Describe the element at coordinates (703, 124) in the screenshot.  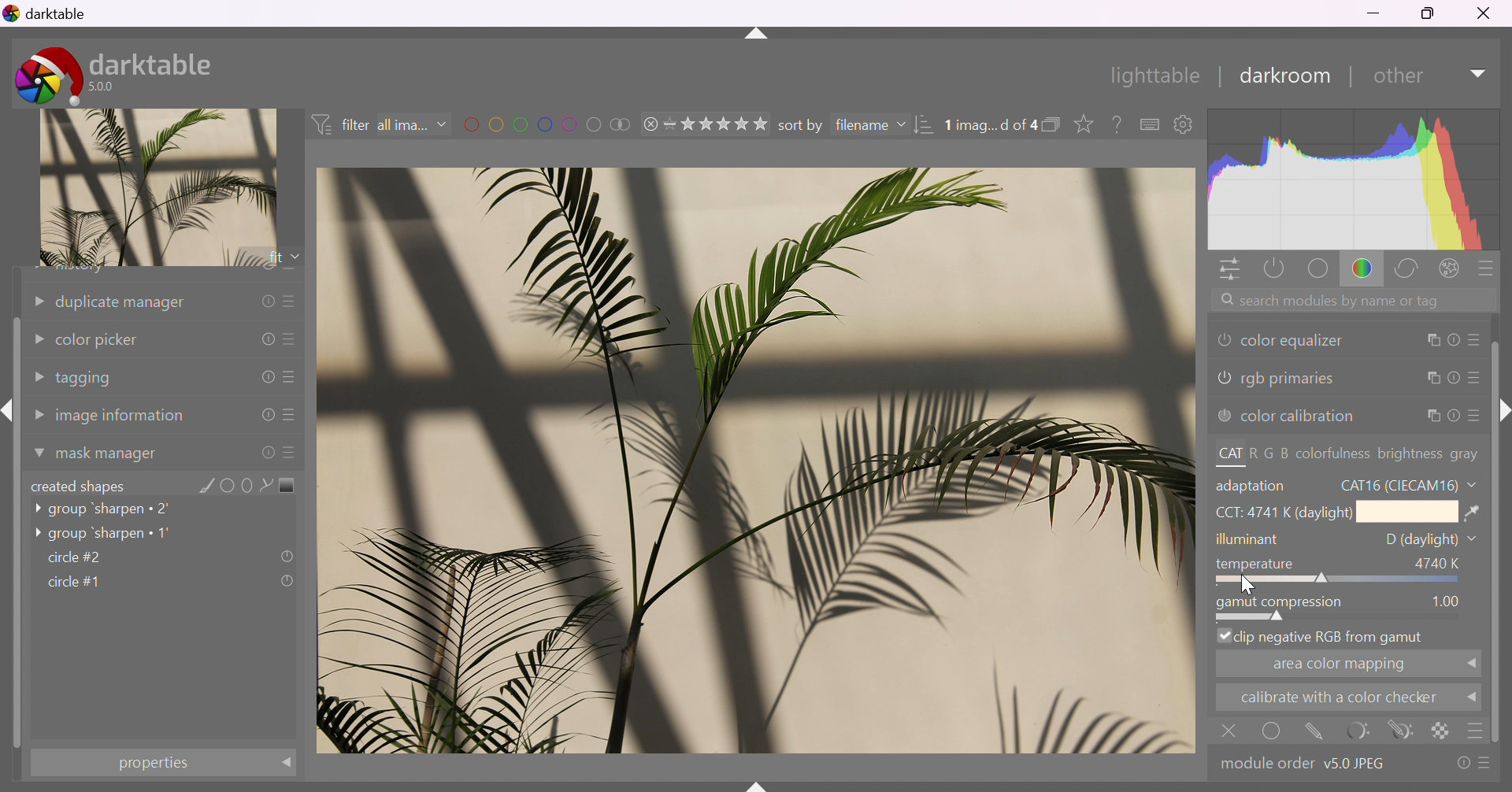
I see `range rating` at that location.